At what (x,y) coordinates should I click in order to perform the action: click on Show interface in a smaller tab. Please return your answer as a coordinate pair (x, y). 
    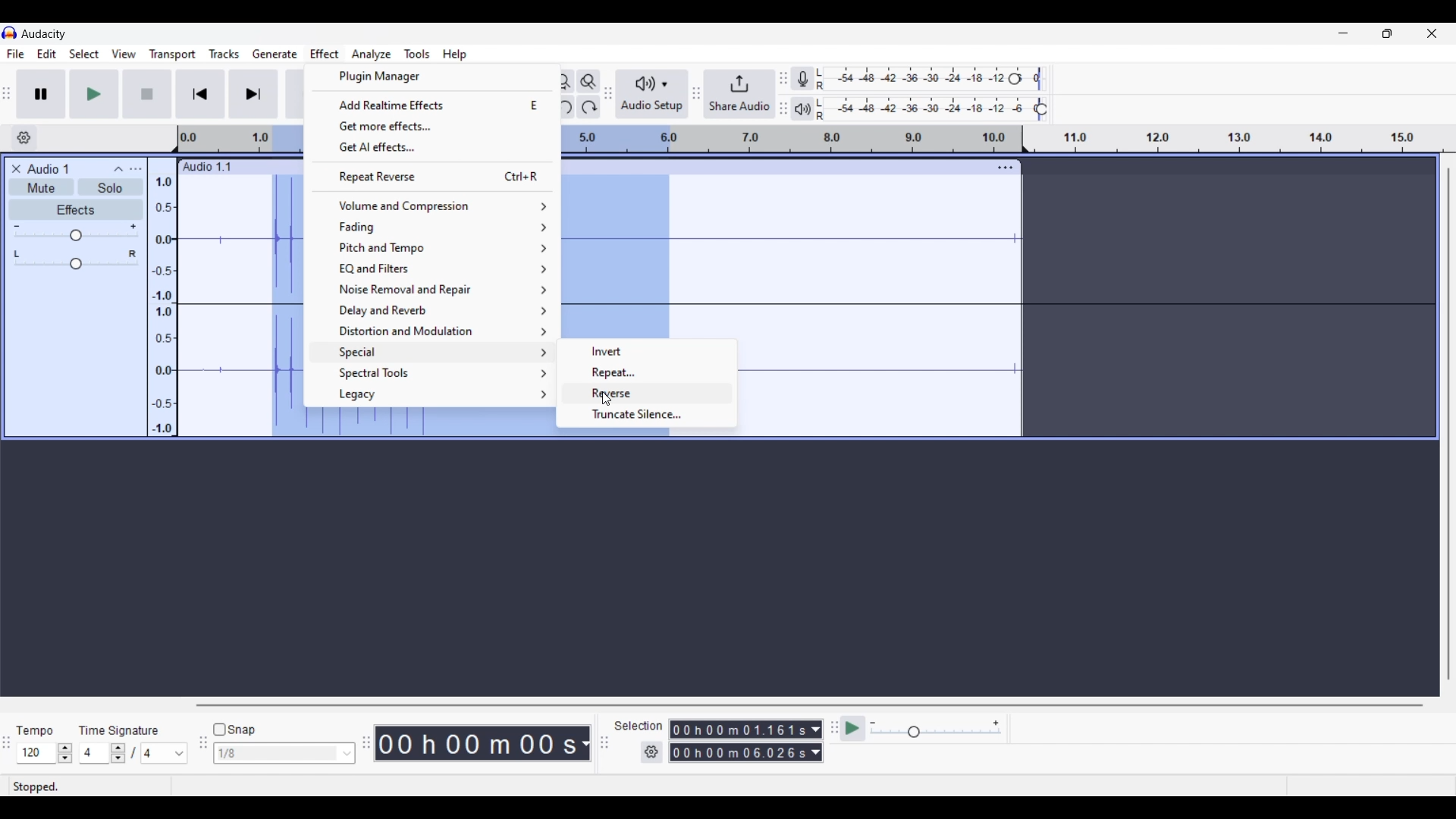
    Looking at the image, I should click on (1387, 33).